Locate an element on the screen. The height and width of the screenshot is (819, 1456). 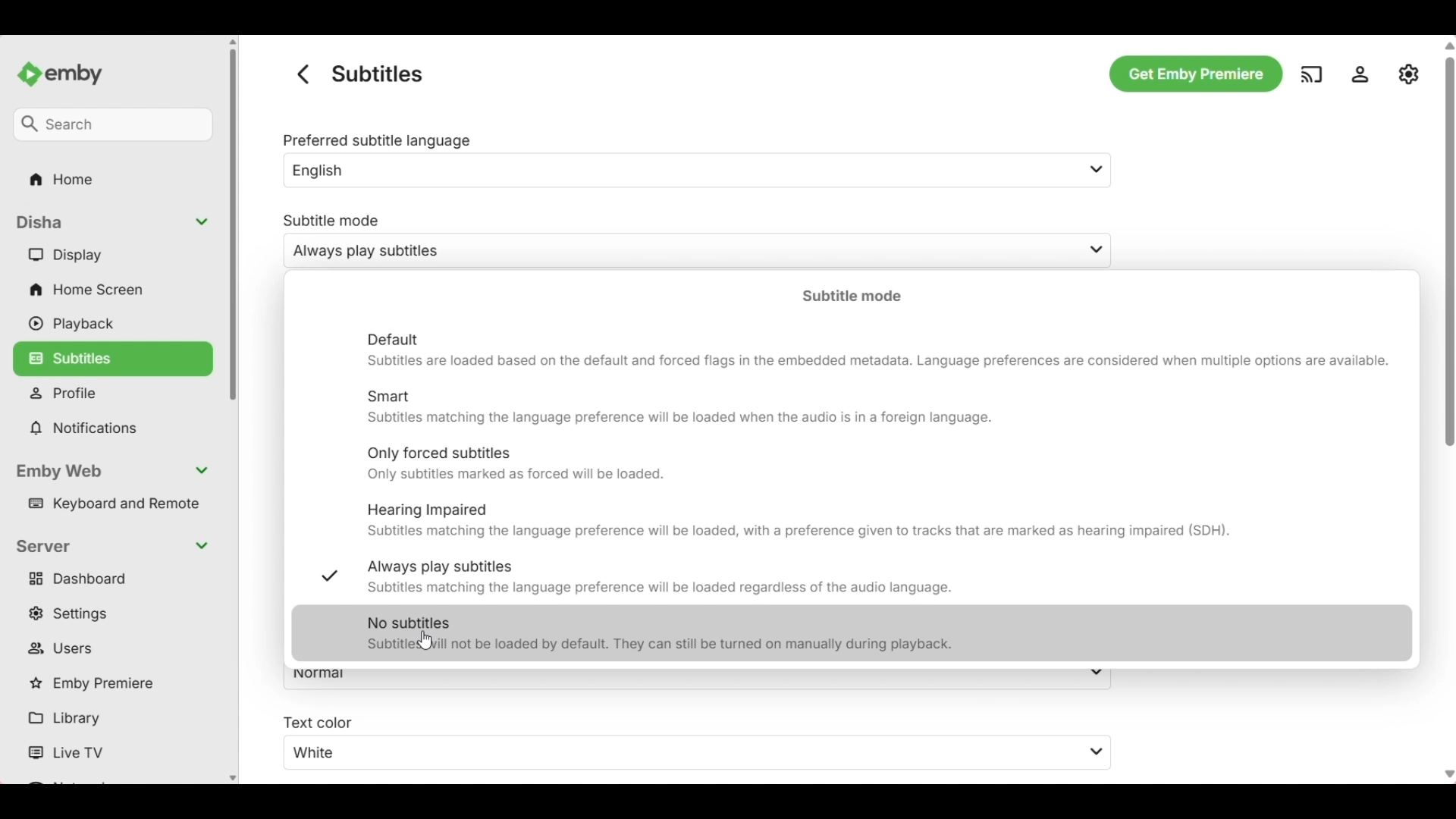
Home screen is located at coordinates (115, 290).